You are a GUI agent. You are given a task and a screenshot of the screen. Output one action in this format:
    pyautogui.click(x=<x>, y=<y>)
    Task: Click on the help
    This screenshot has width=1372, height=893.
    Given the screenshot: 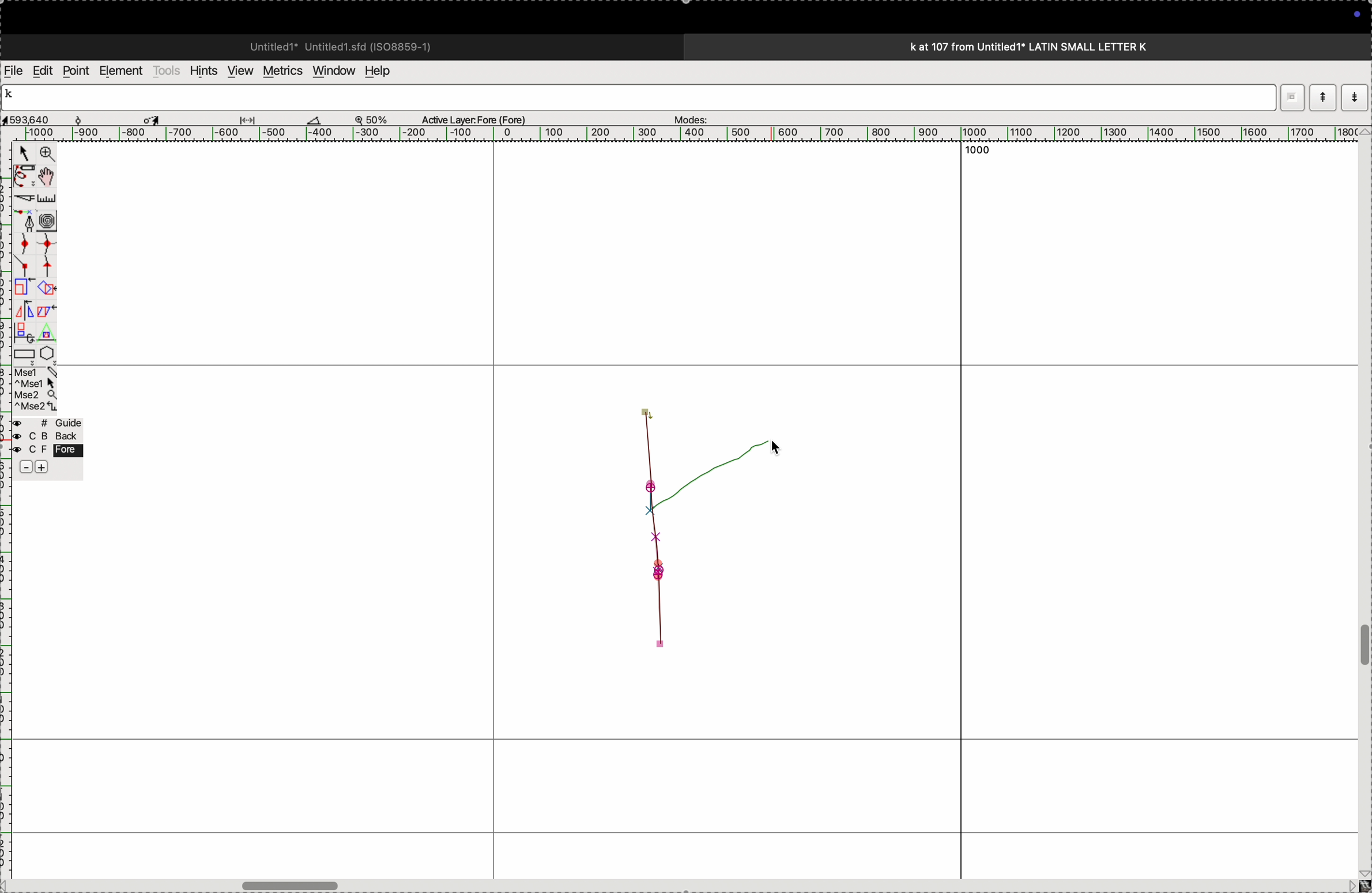 What is the action you would take?
    pyautogui.click(x=385, y=71)
    